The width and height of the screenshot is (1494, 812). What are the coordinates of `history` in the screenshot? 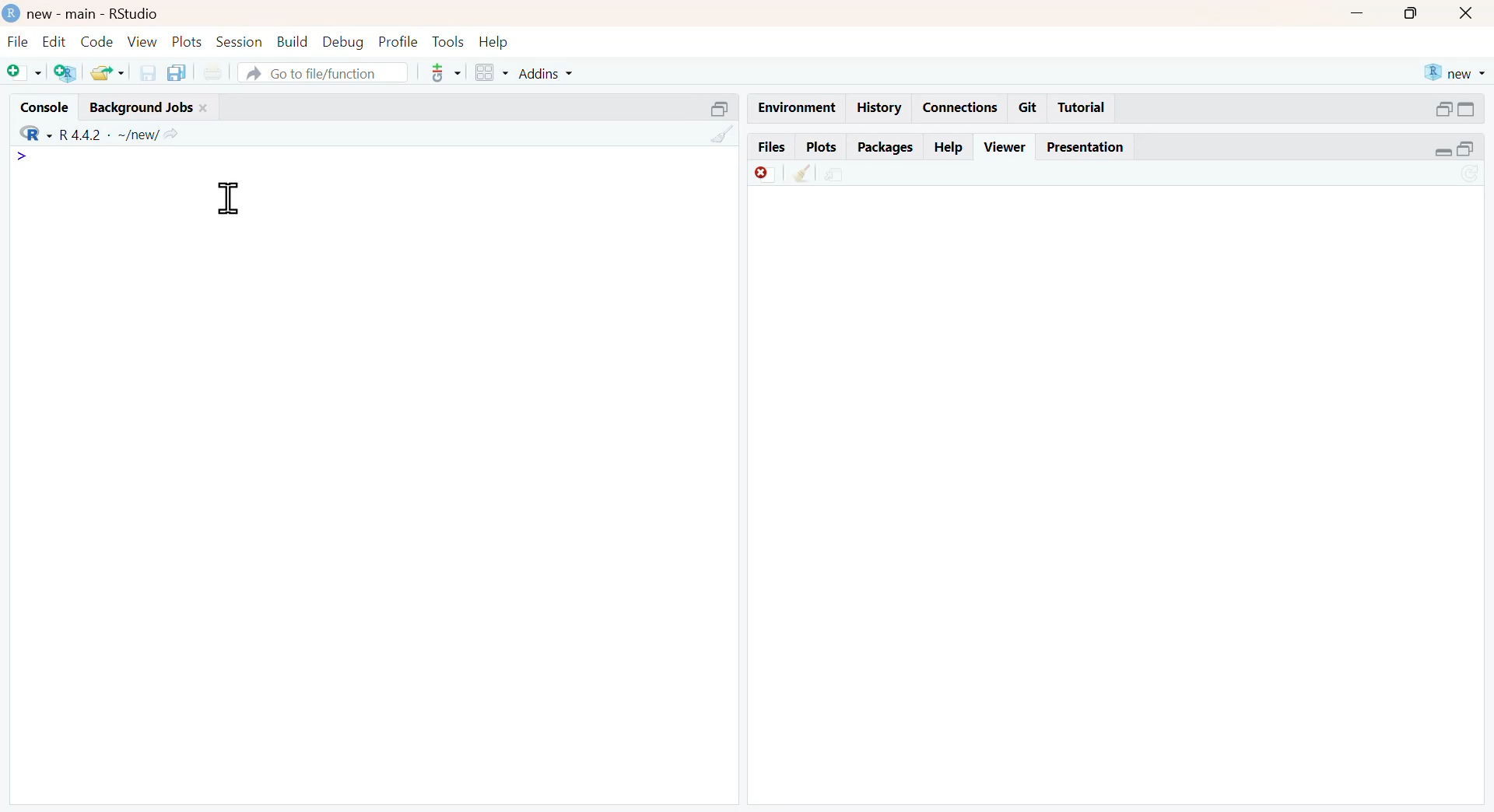 It's located at (881, 108).